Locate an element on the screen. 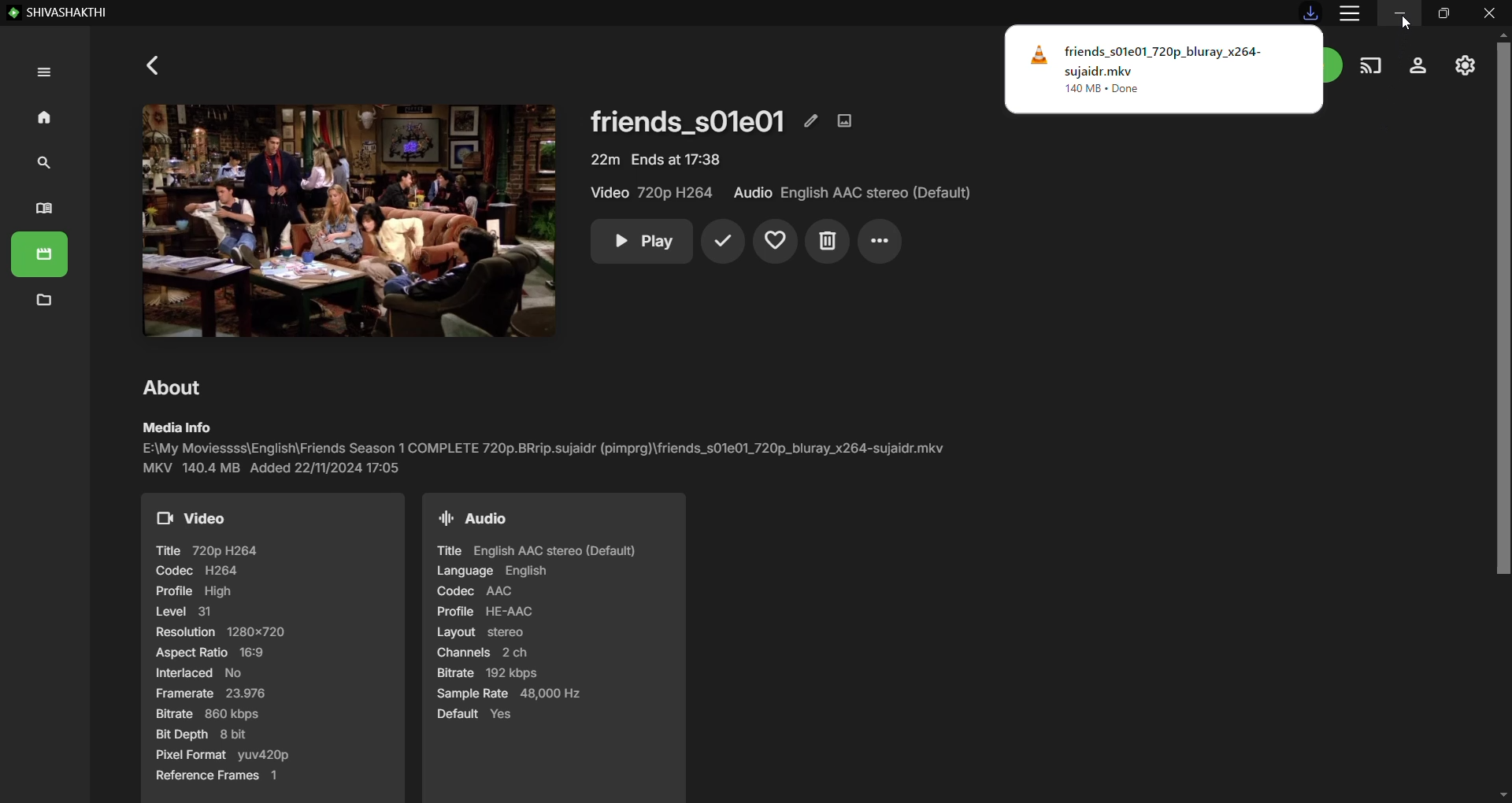 This screenshot has width=1512, height=803. Get Emby Premiere is located at coordinates (1336, 65).